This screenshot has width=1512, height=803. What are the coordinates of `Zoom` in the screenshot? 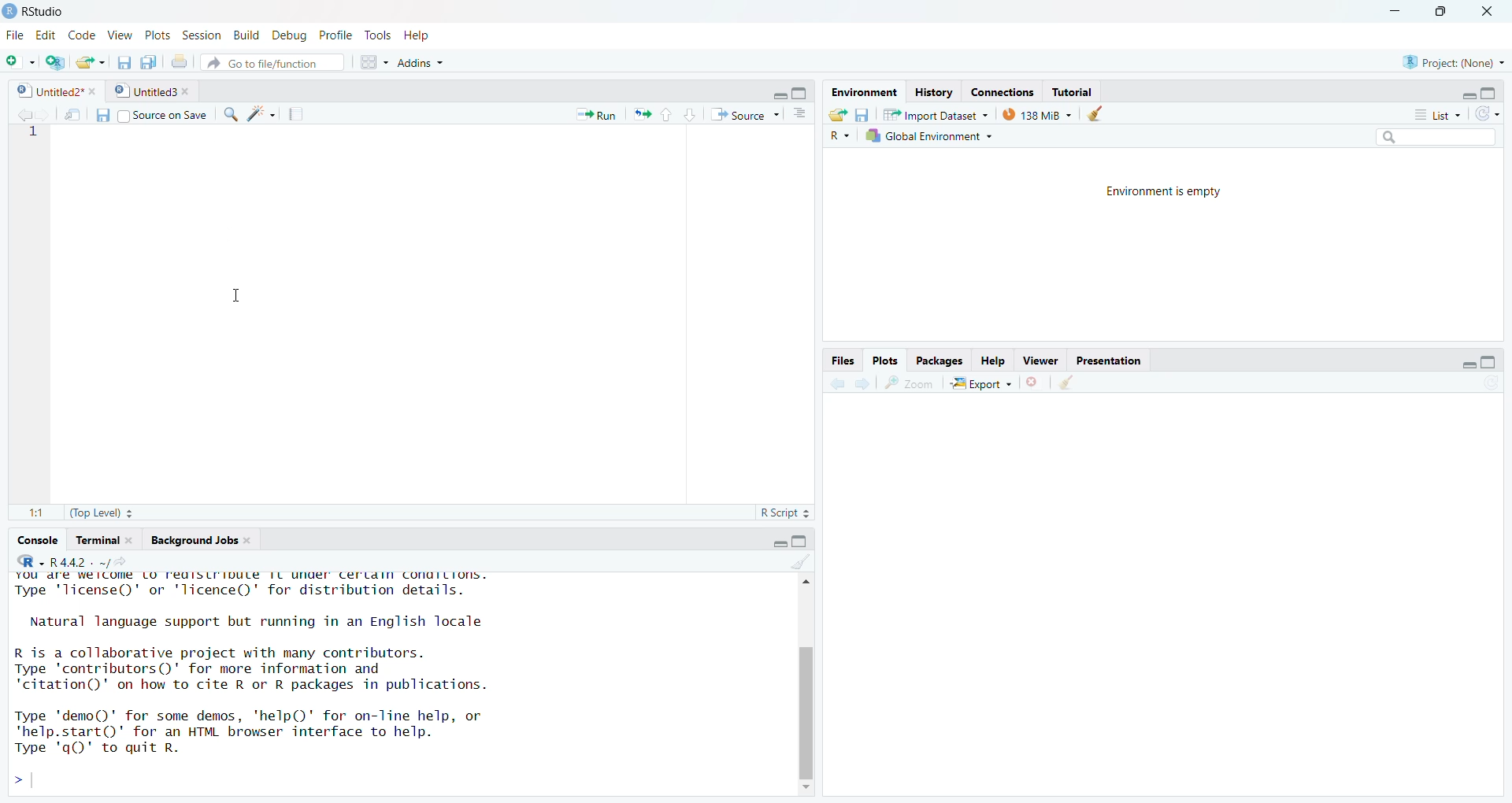 It's located at (914, 383).